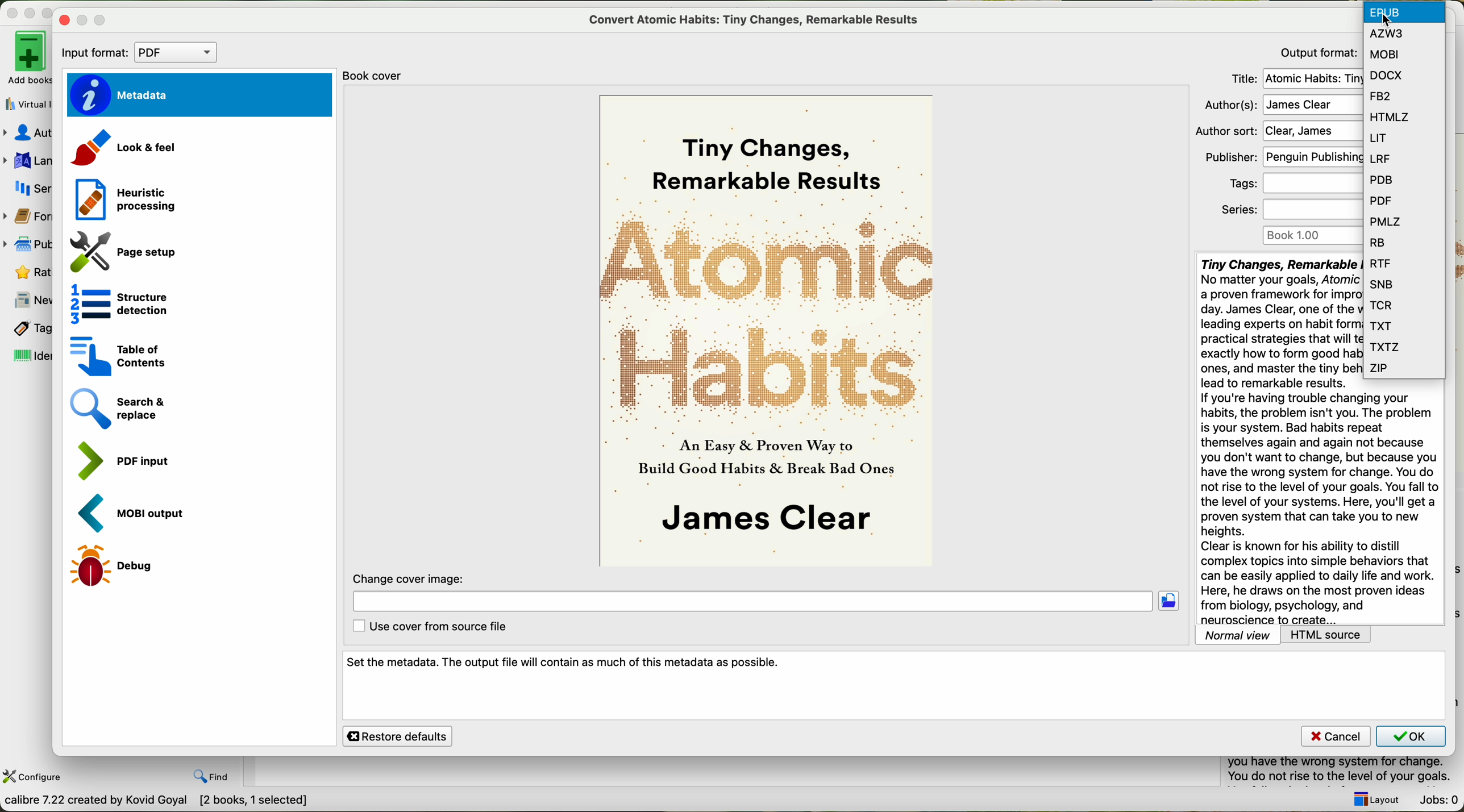 The height and width of the screenshot is (812, 1464). Describe the element at coordinates (1278, 318) in the screenshot. I see `synopsis` at that location.